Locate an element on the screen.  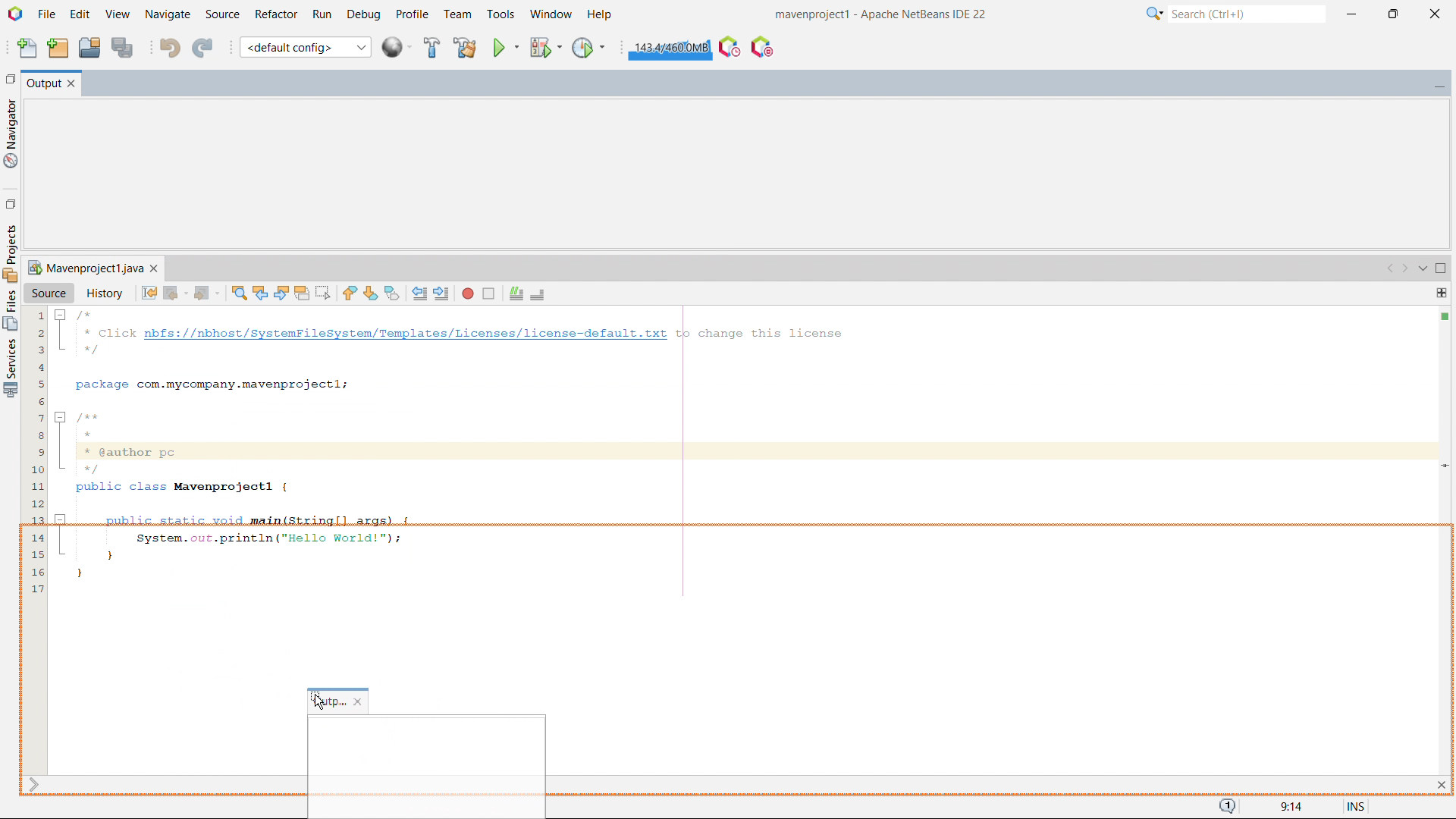
save all is located at coordinates (121, 46).